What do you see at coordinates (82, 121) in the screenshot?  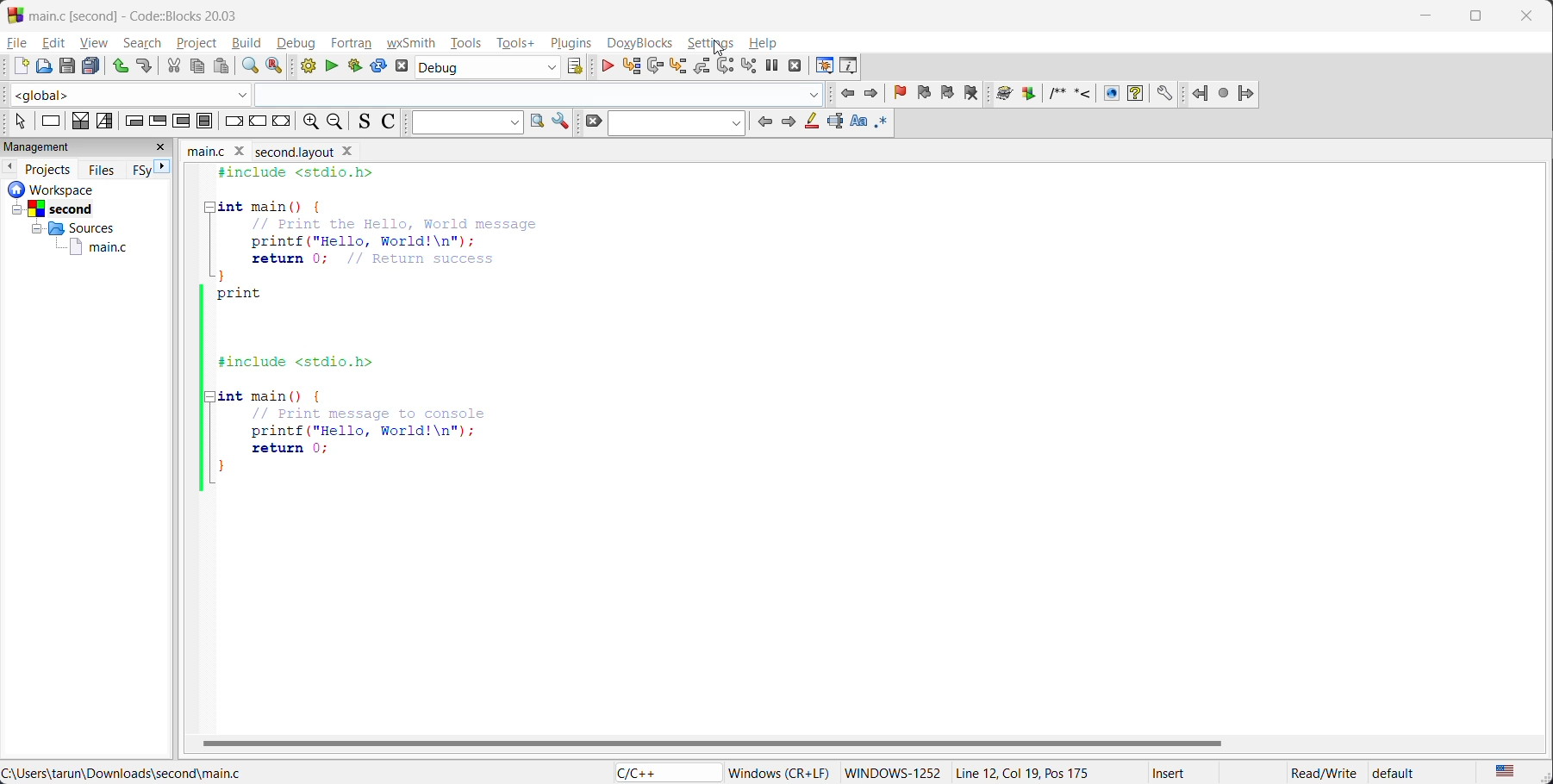 I see `decision` at bounding box center [82, 121].